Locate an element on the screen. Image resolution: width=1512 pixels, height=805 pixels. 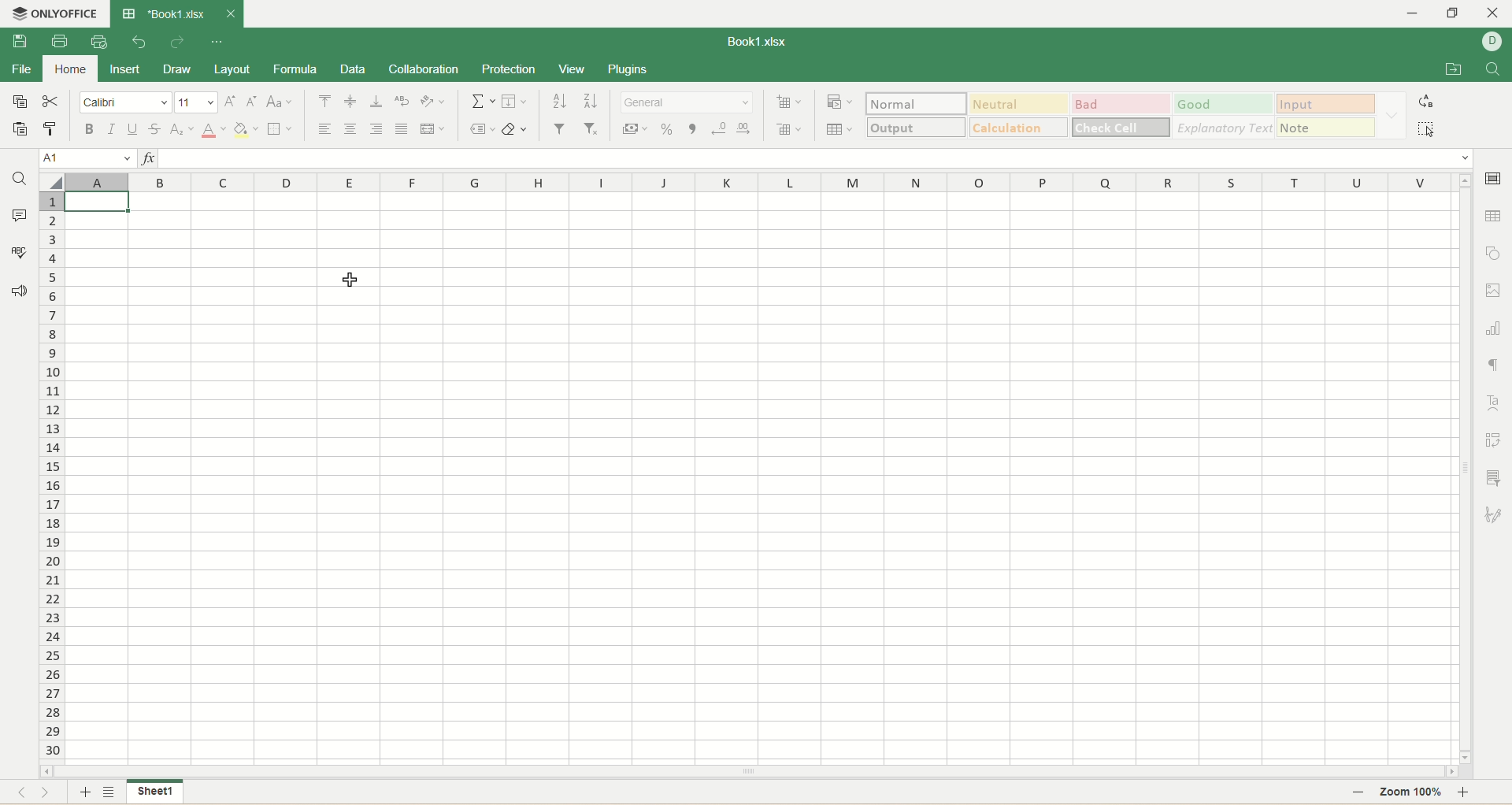
insert cell is located at coordinates (789, 102).